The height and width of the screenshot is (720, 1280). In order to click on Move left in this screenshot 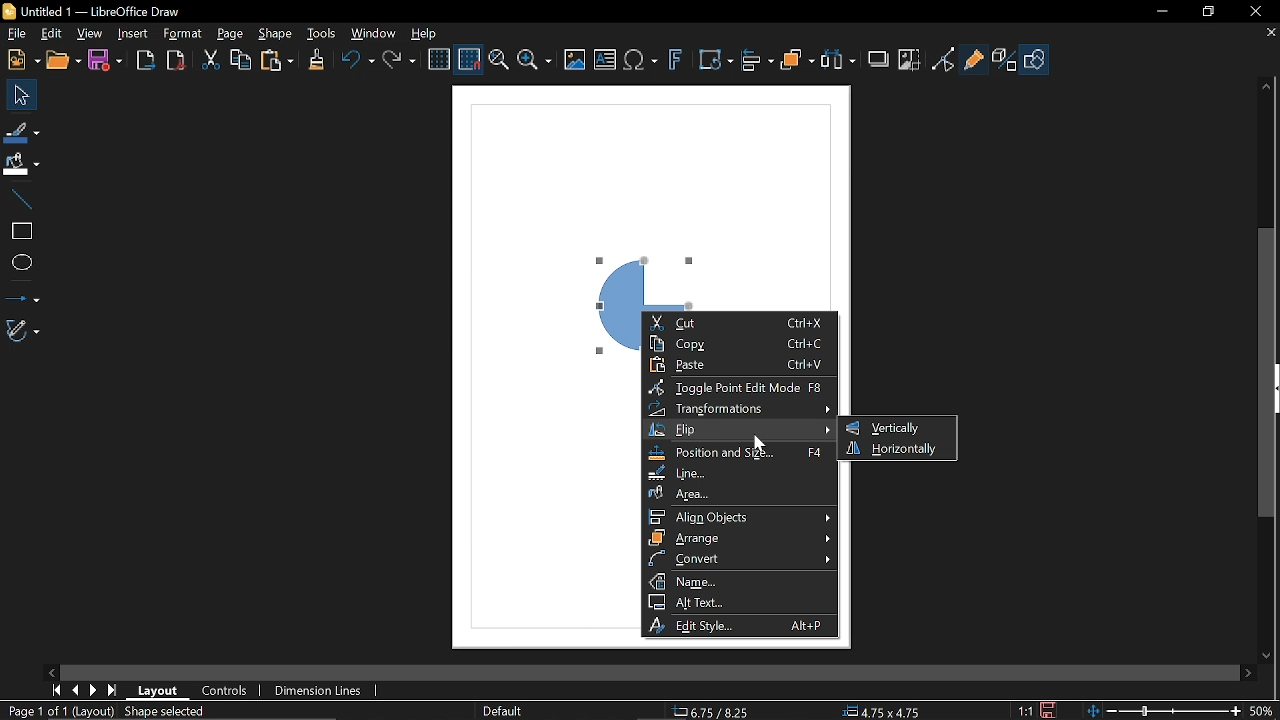, I will do `click(51, 670)`.